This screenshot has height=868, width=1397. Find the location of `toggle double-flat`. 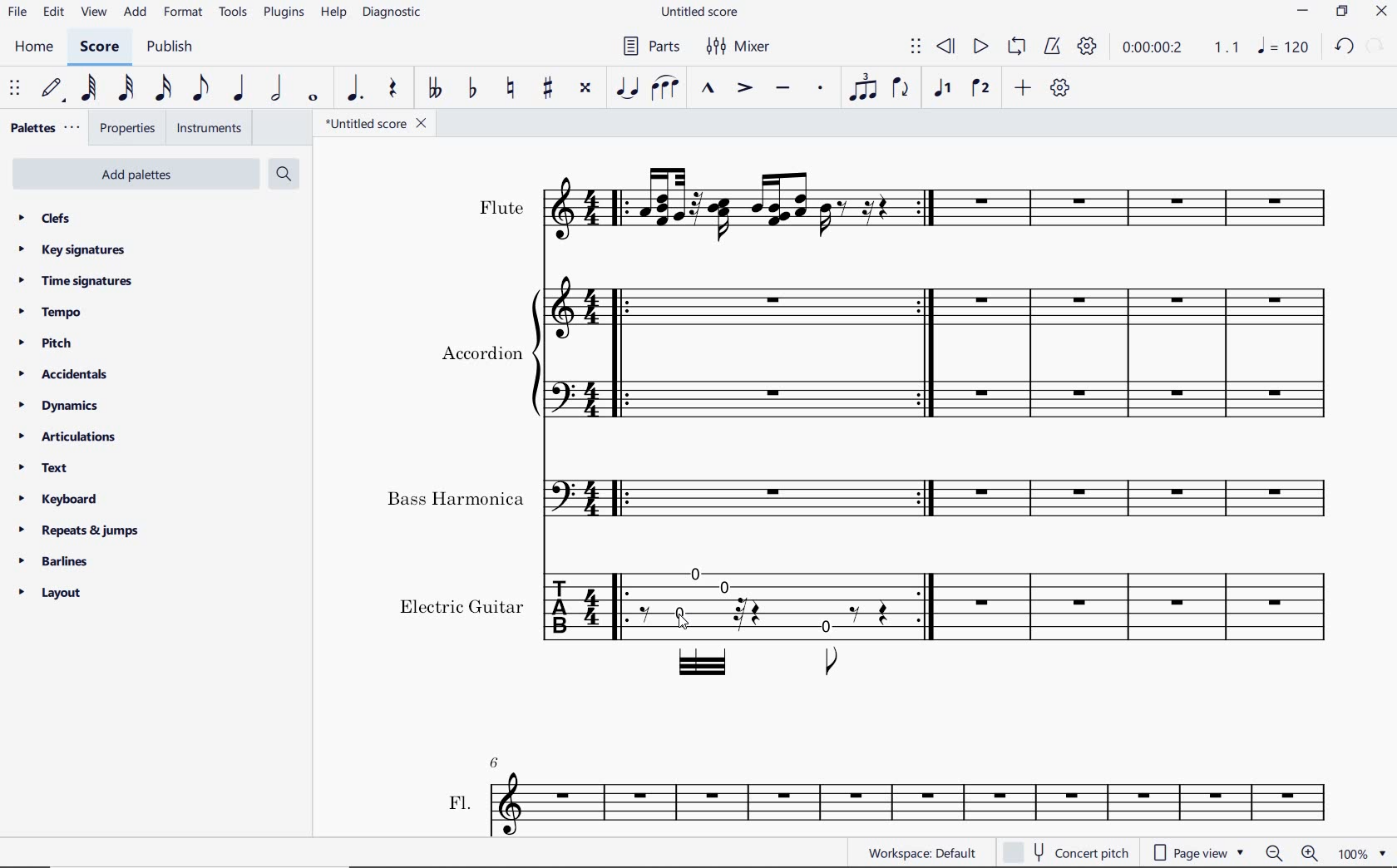

toggle double-flat is located at coordinates (432, 89).